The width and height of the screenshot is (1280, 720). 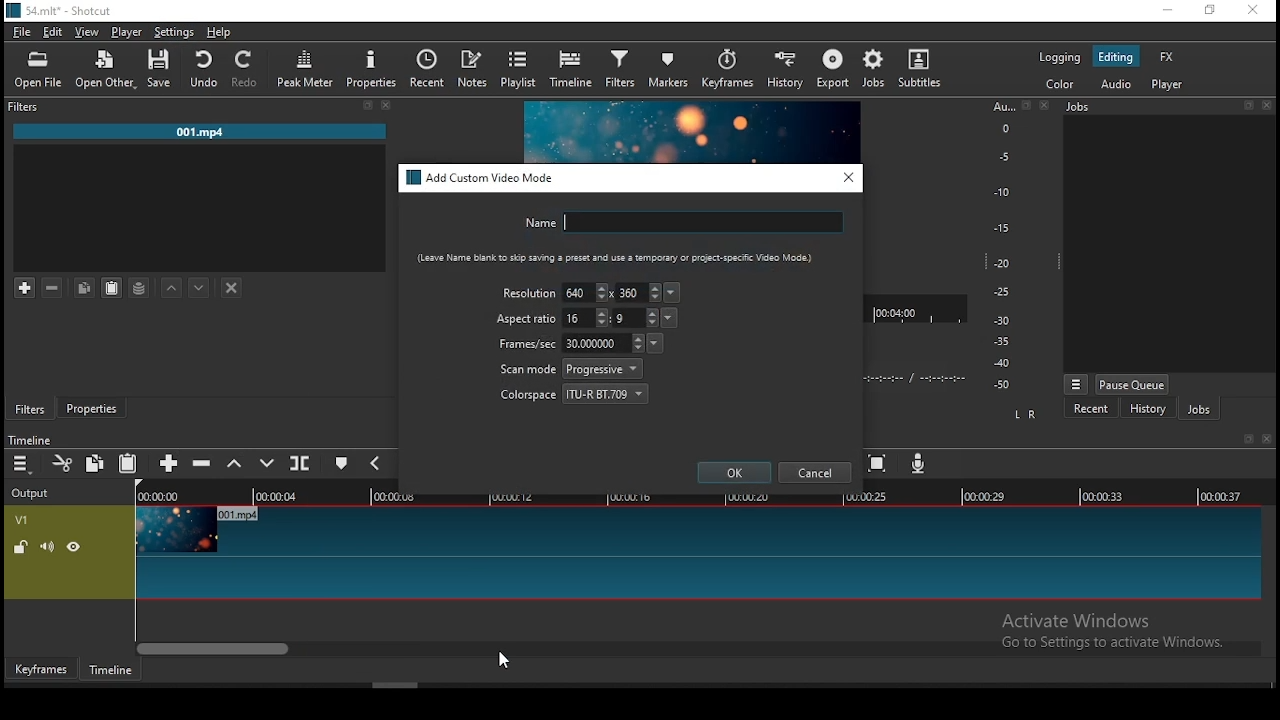 What do you see at coordinates (529, 292) in the screenshot?
I see `resolution` at bounding box center [529, 292].